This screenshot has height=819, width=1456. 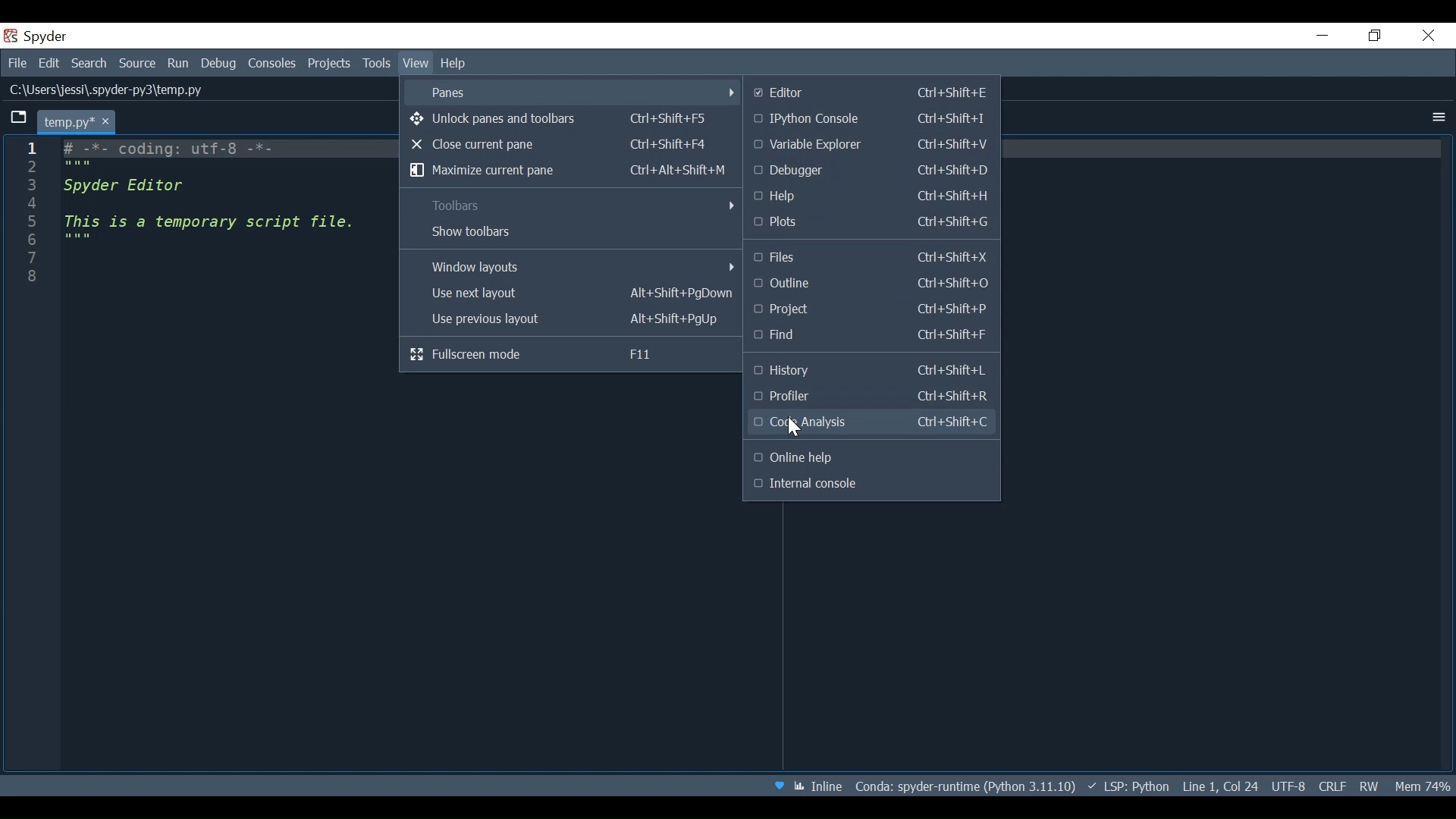 What do you see at coordinates (873, 258) in the screenshot?
I see `Files` at bounding box center [873, 258].